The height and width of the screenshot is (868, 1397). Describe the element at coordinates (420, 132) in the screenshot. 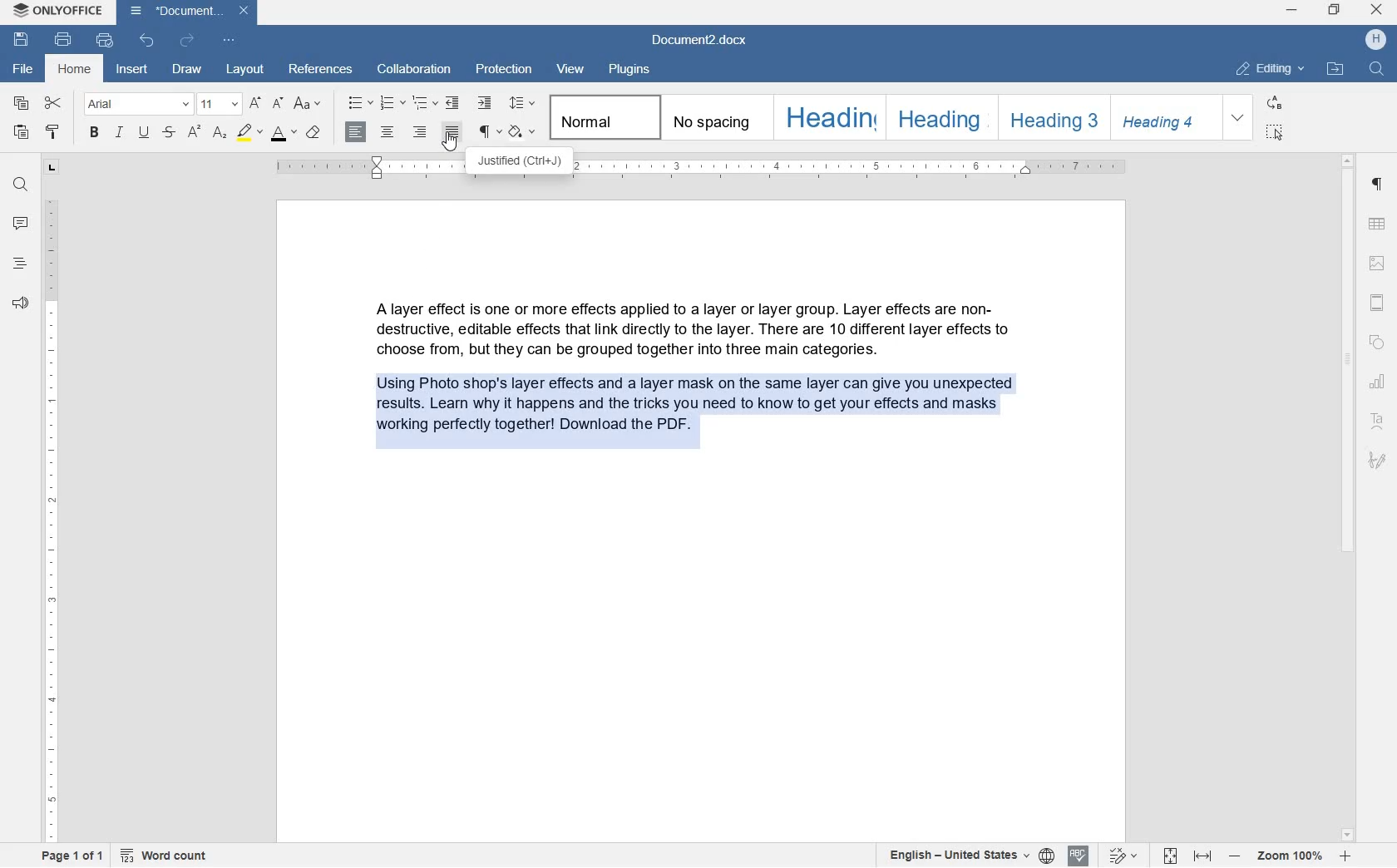

I see `RIGHT ALIGNMENT` at that location.